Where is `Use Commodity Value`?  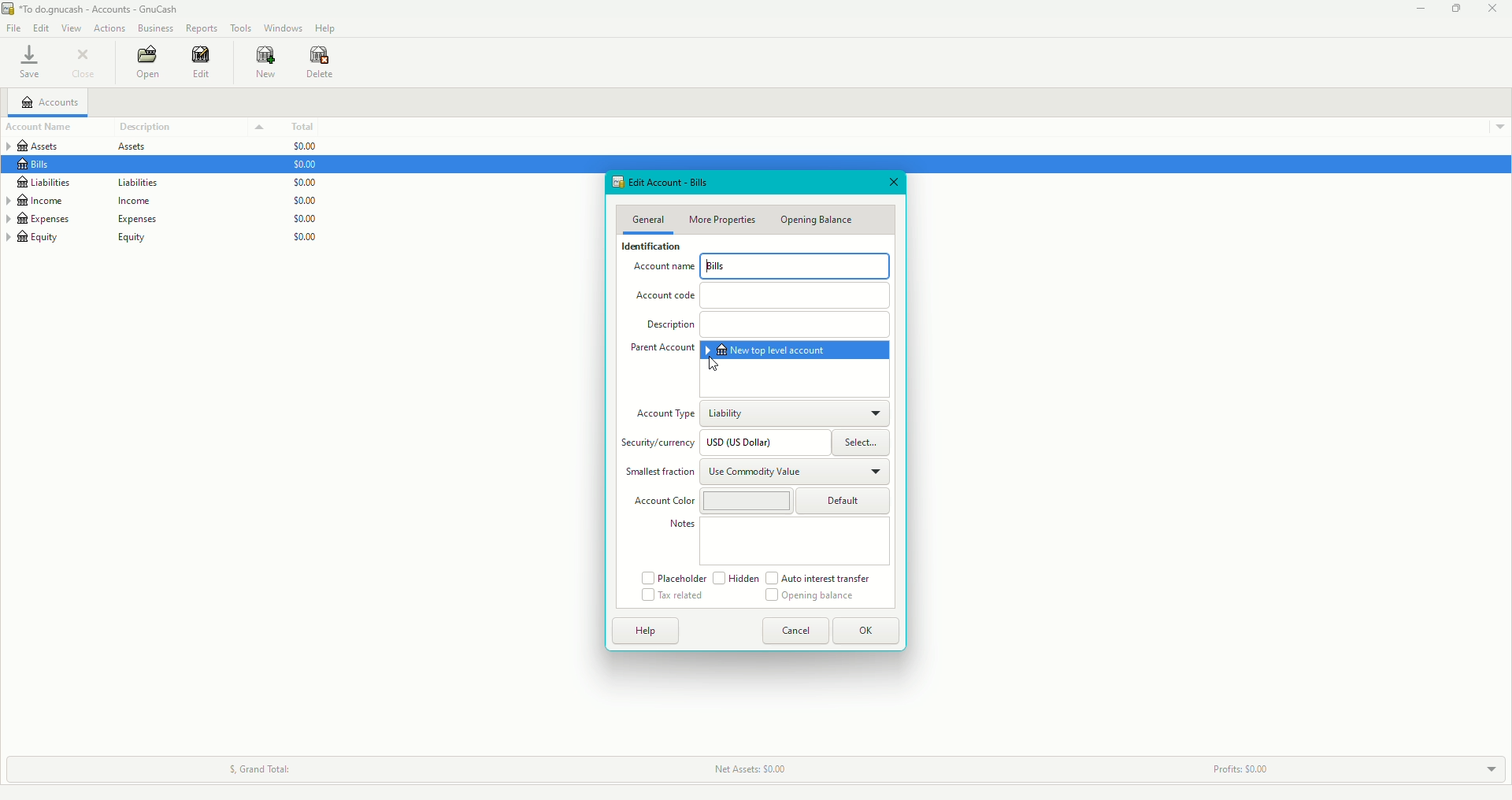 Use Commodity Value is located at coordinates (795, 470).